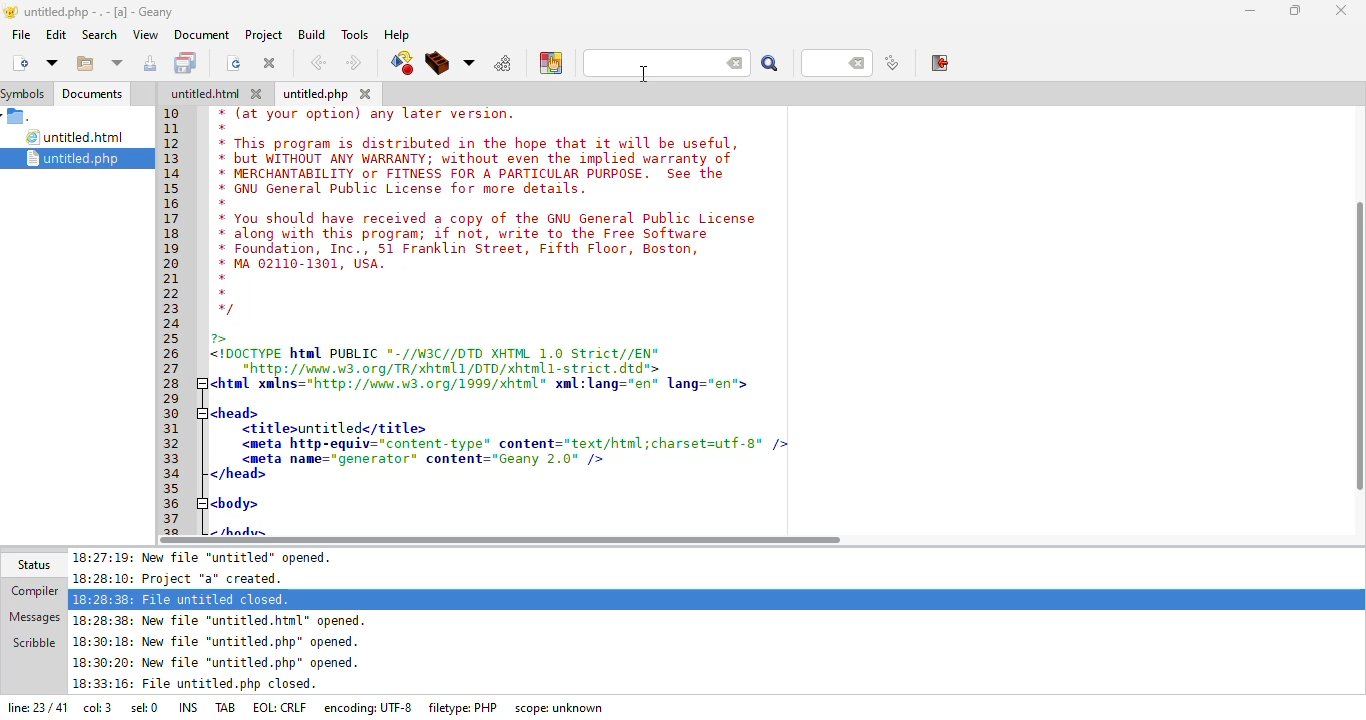 The image size is (1366, 720). I want to click on 18:30:20: new file "untitled.php" opened., so click(217, 665).